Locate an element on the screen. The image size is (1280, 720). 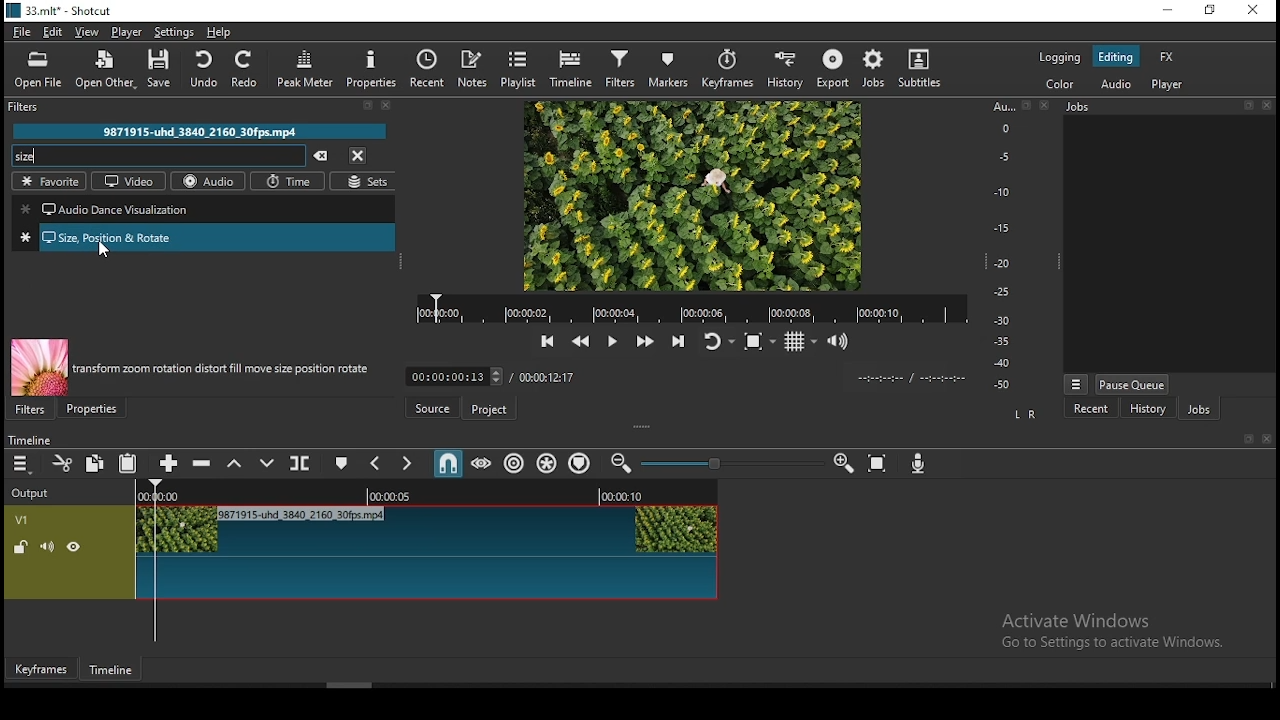
restore is located at coordinates (1206, 13).